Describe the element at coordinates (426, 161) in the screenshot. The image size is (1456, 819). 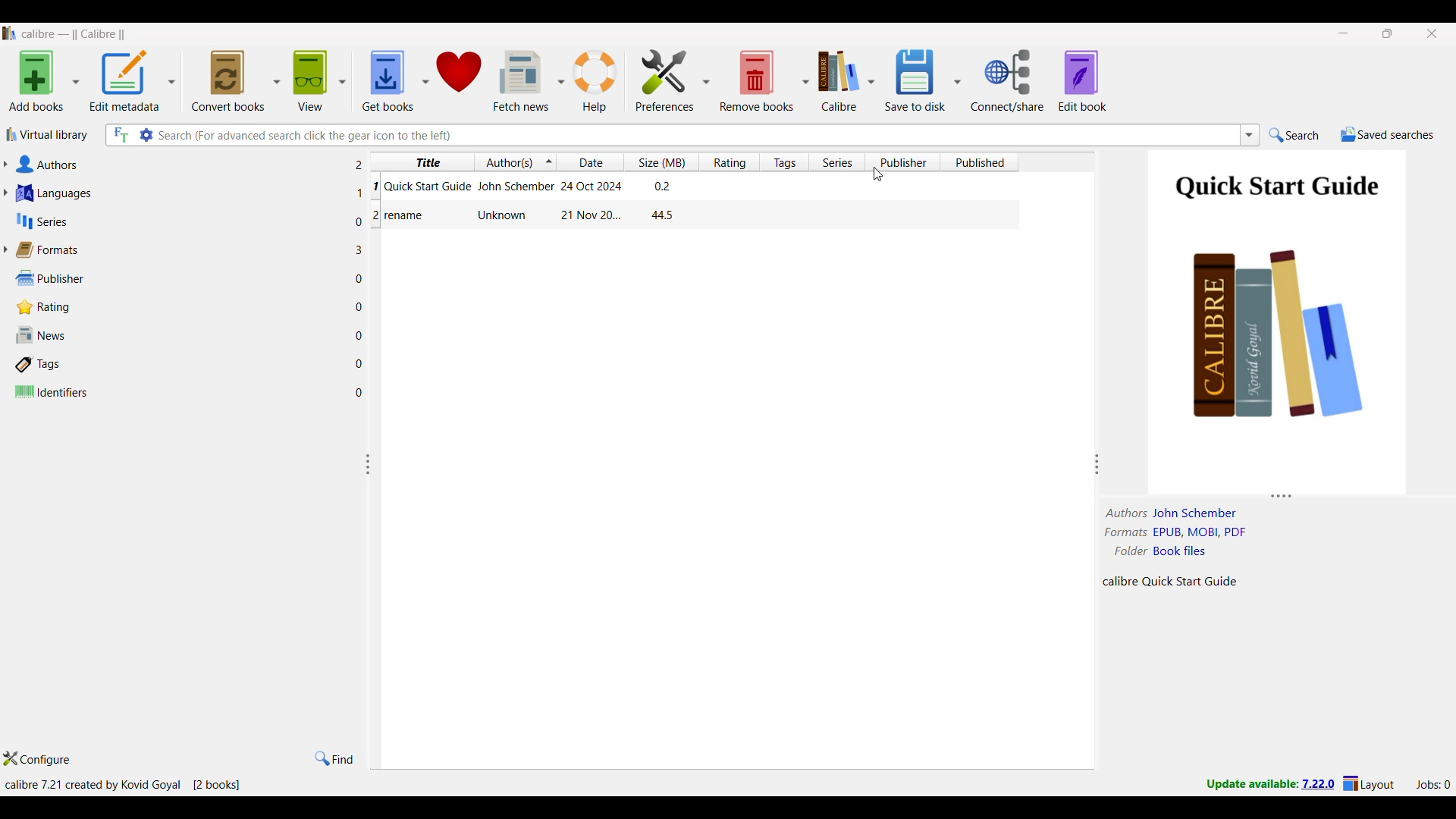
I see `Title options` at that location.